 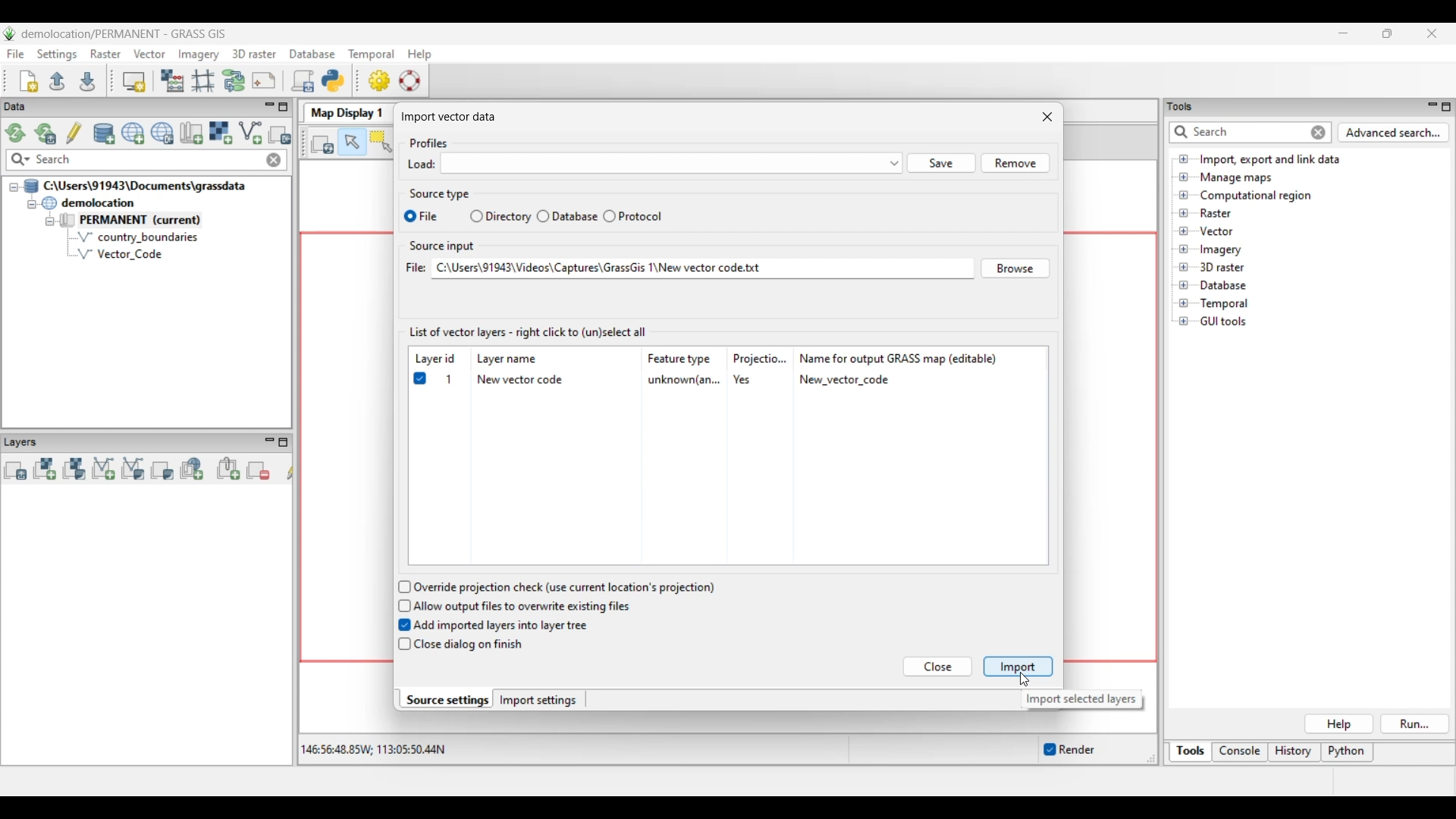 I want to click on Profiles, so click(x=430, y=142).